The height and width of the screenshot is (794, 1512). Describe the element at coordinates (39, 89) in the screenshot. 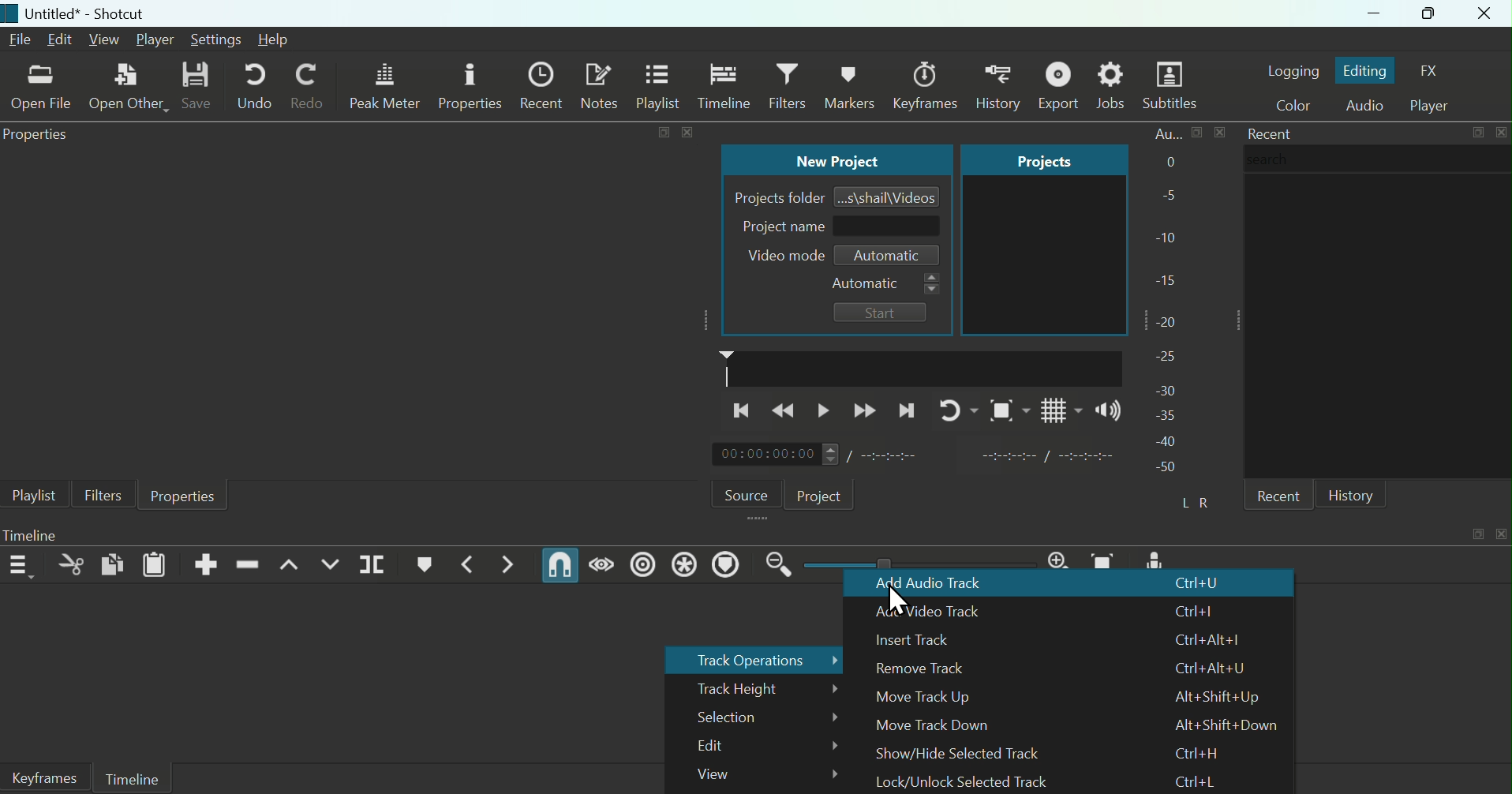

I see `Open File` at that location.